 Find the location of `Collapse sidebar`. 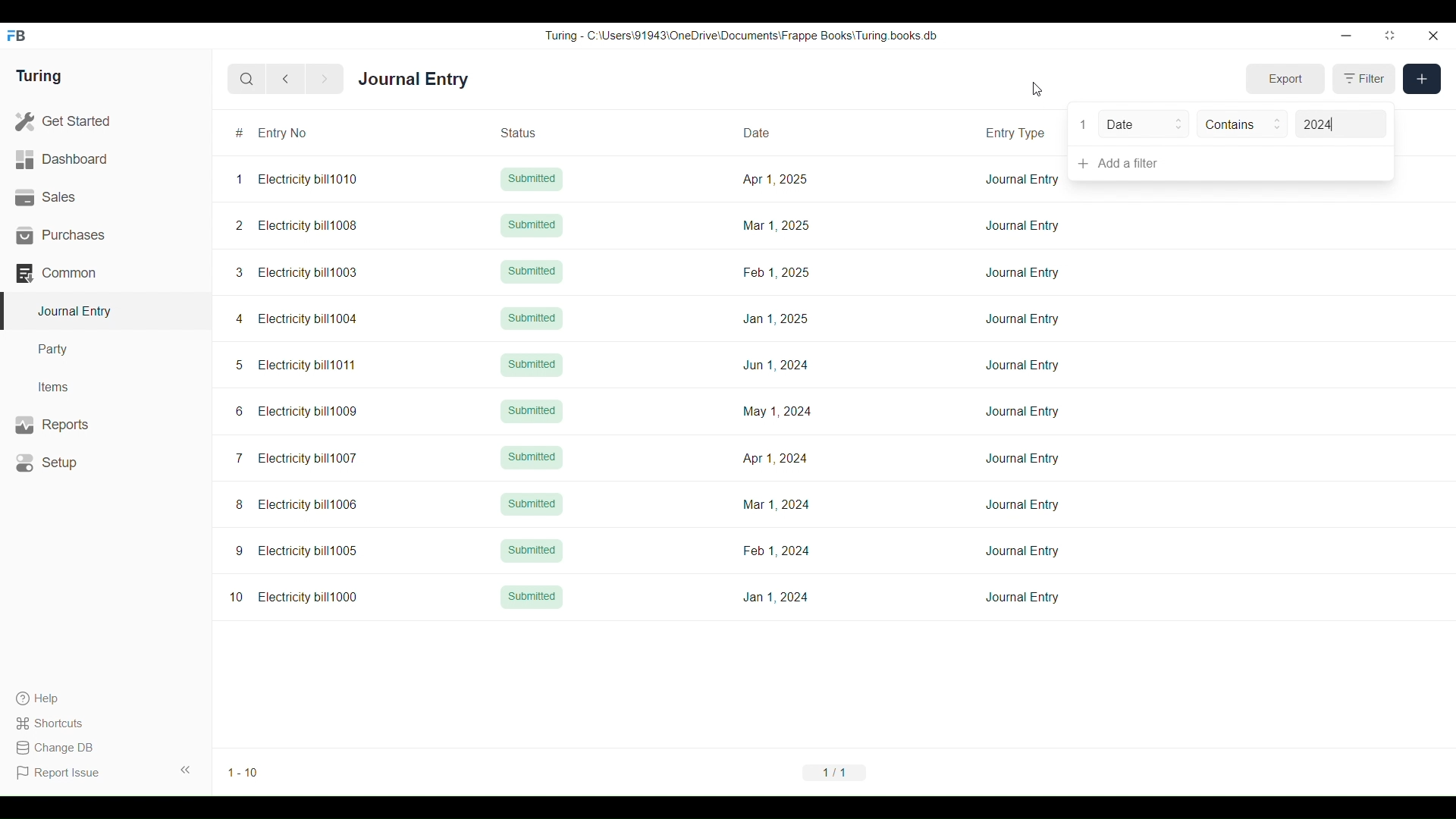

Collapse sidebar is located at coordinates (186, 770).